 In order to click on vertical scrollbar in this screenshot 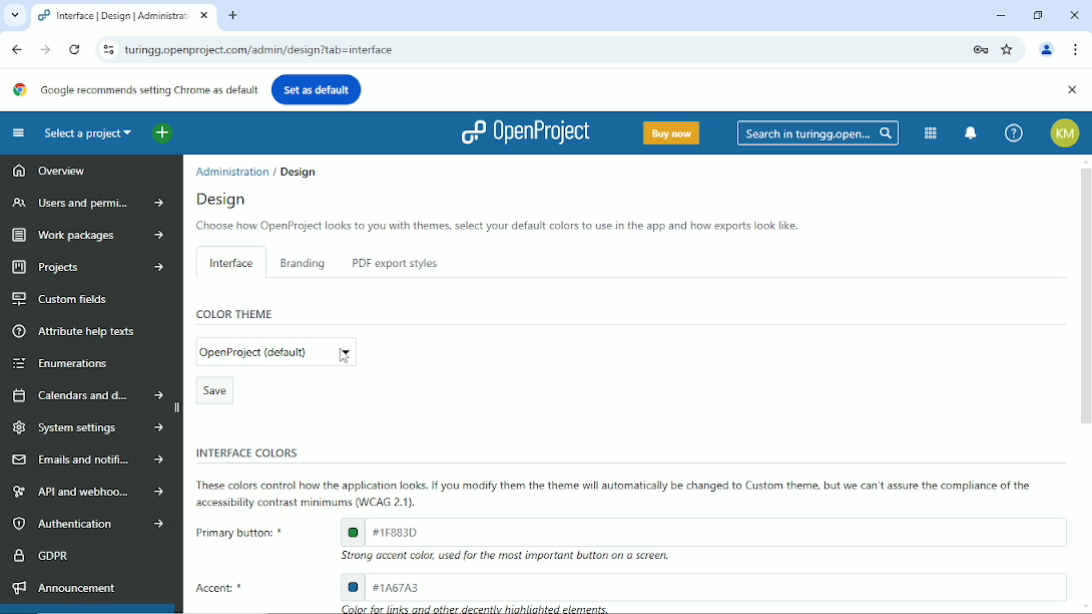, I will do `click(1085, 296)`.